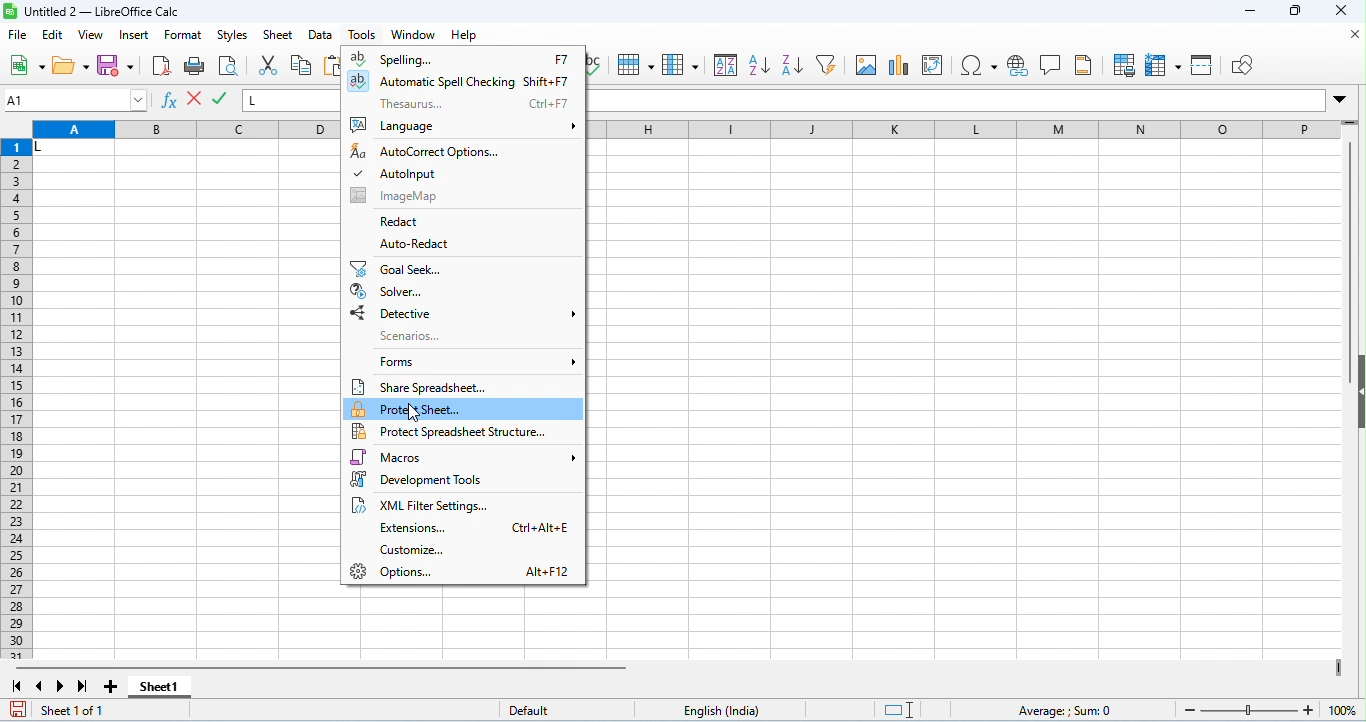  I want to click on cut, so click(271, 65).